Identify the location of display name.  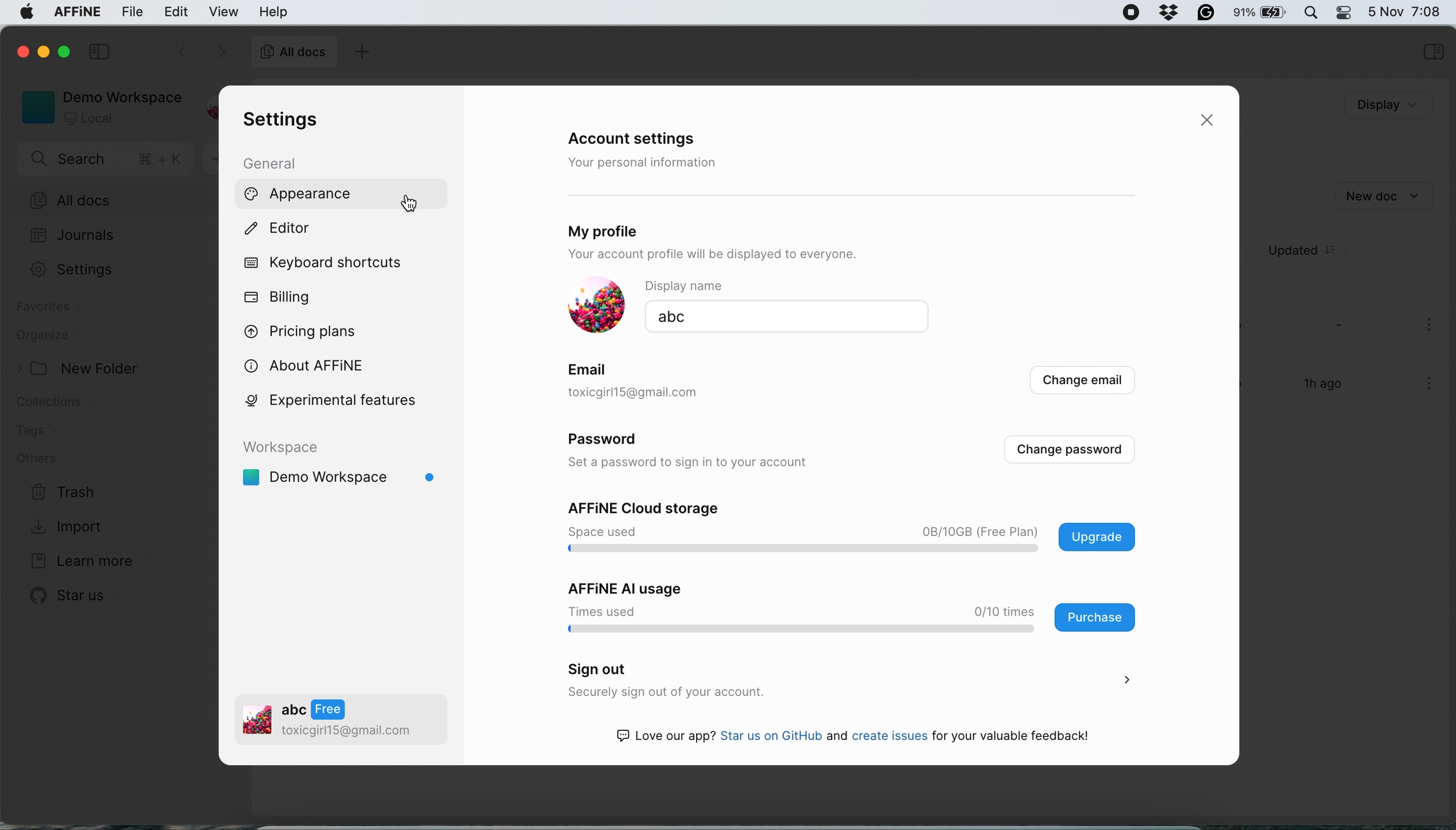
(783, 287).